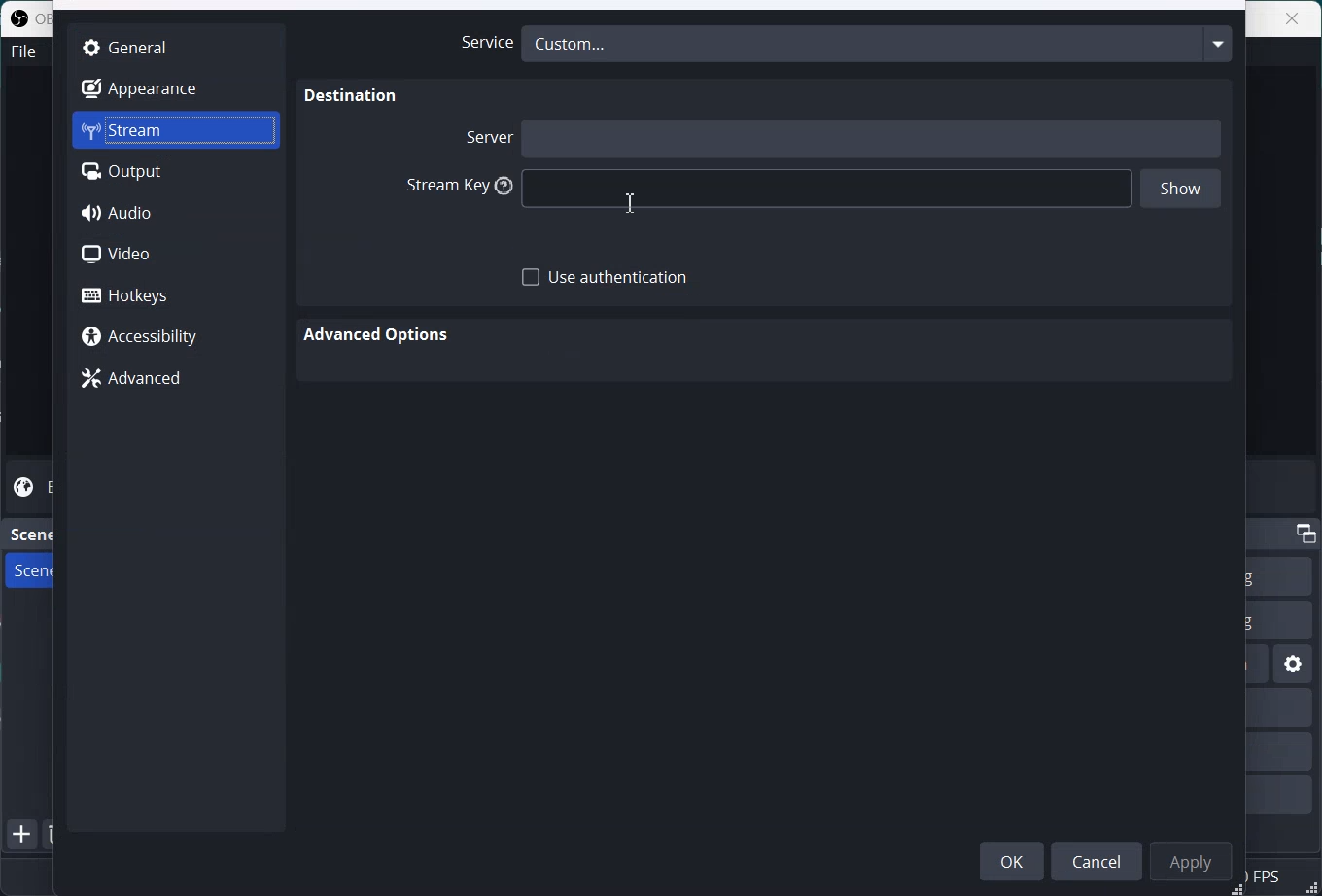 This screenshot has width=1322, height=896. Describe the element at coordinates (1195, 860) in the screenshot. I see `Apply` at that location.